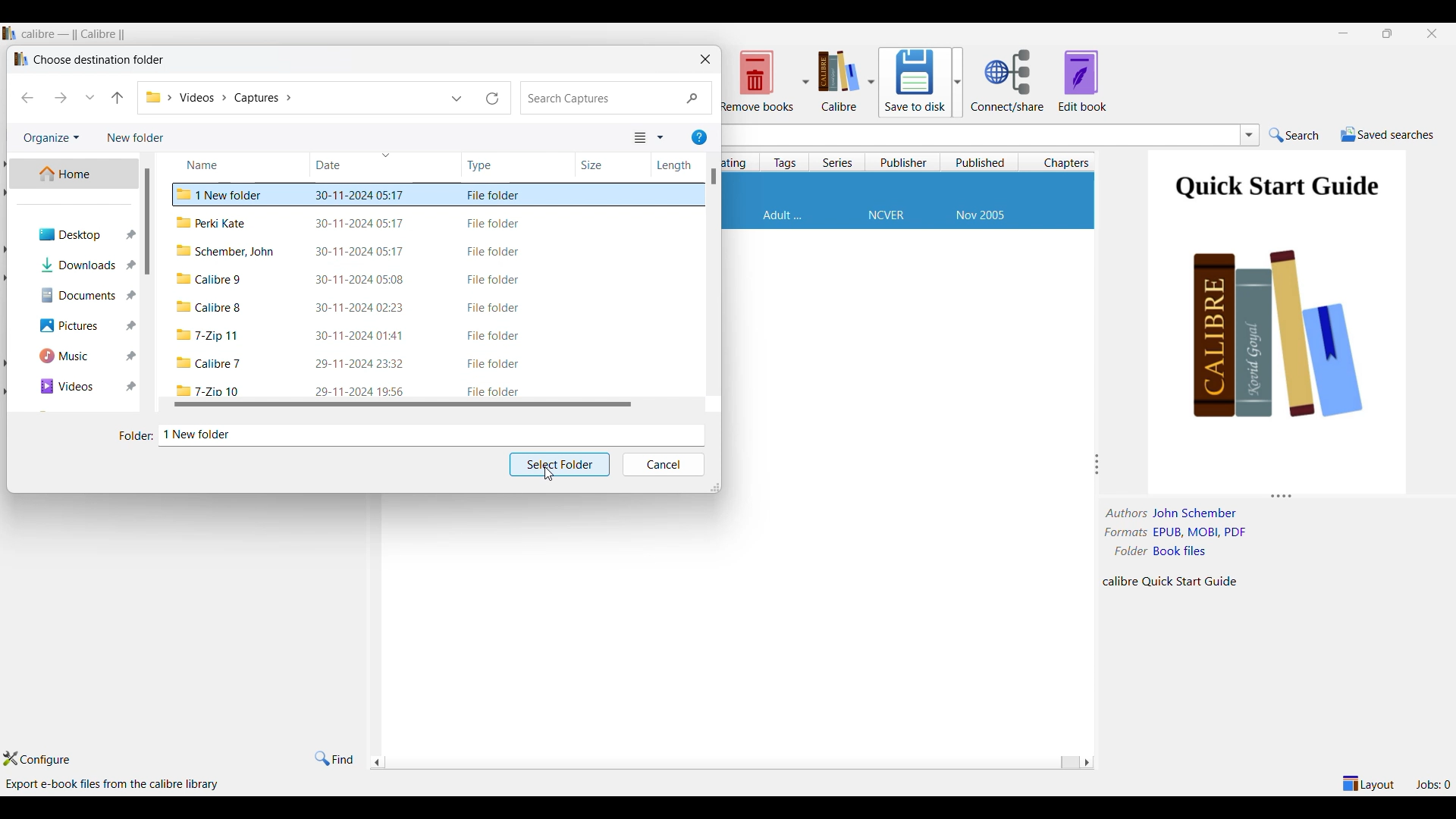  I want to click on Rating column, so click(738, 163).